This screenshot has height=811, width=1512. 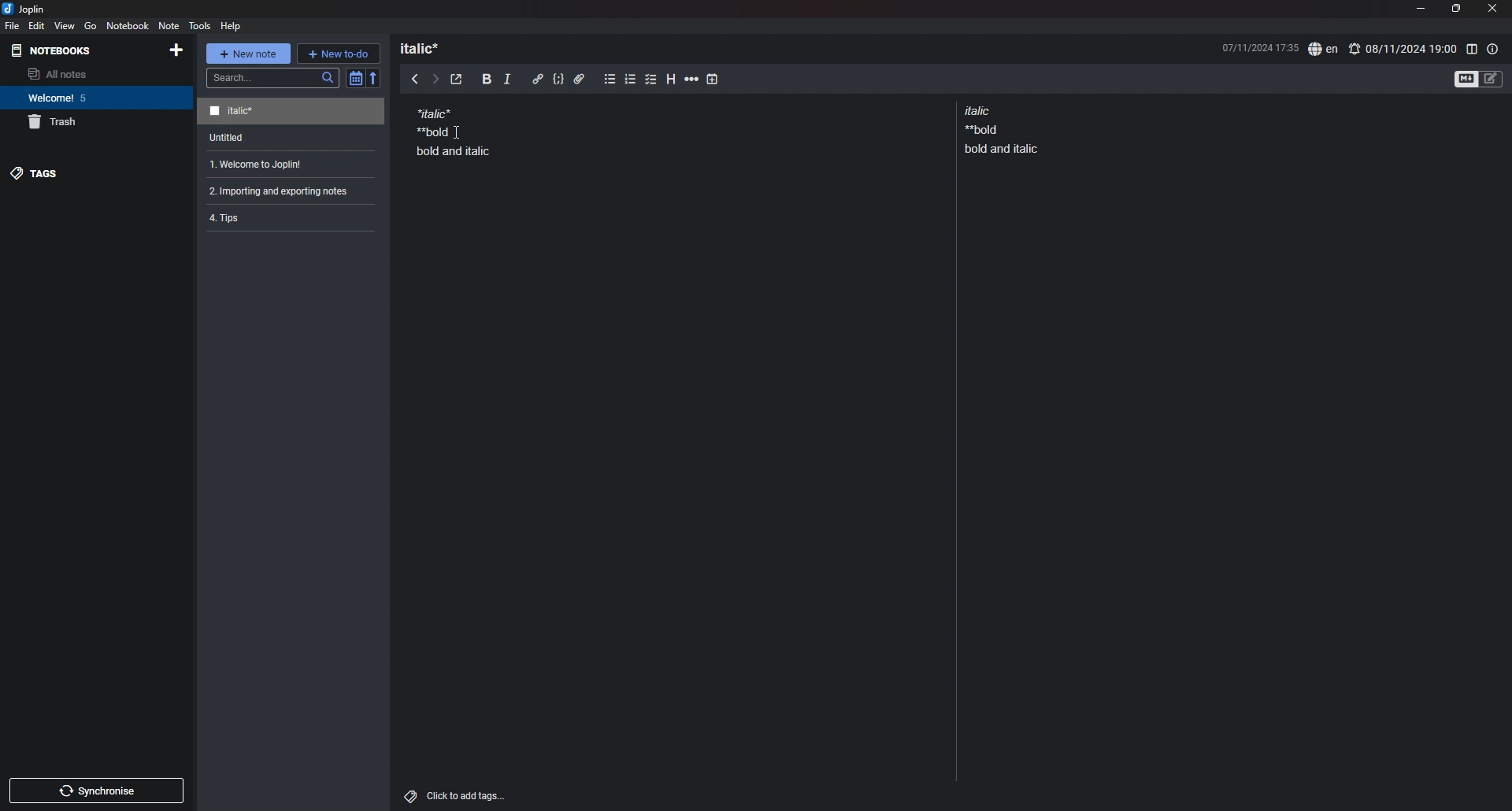 What do you see at coordinates (92, 74) in the screenshot?
I see `all notes` at bounding box center [92, 74].